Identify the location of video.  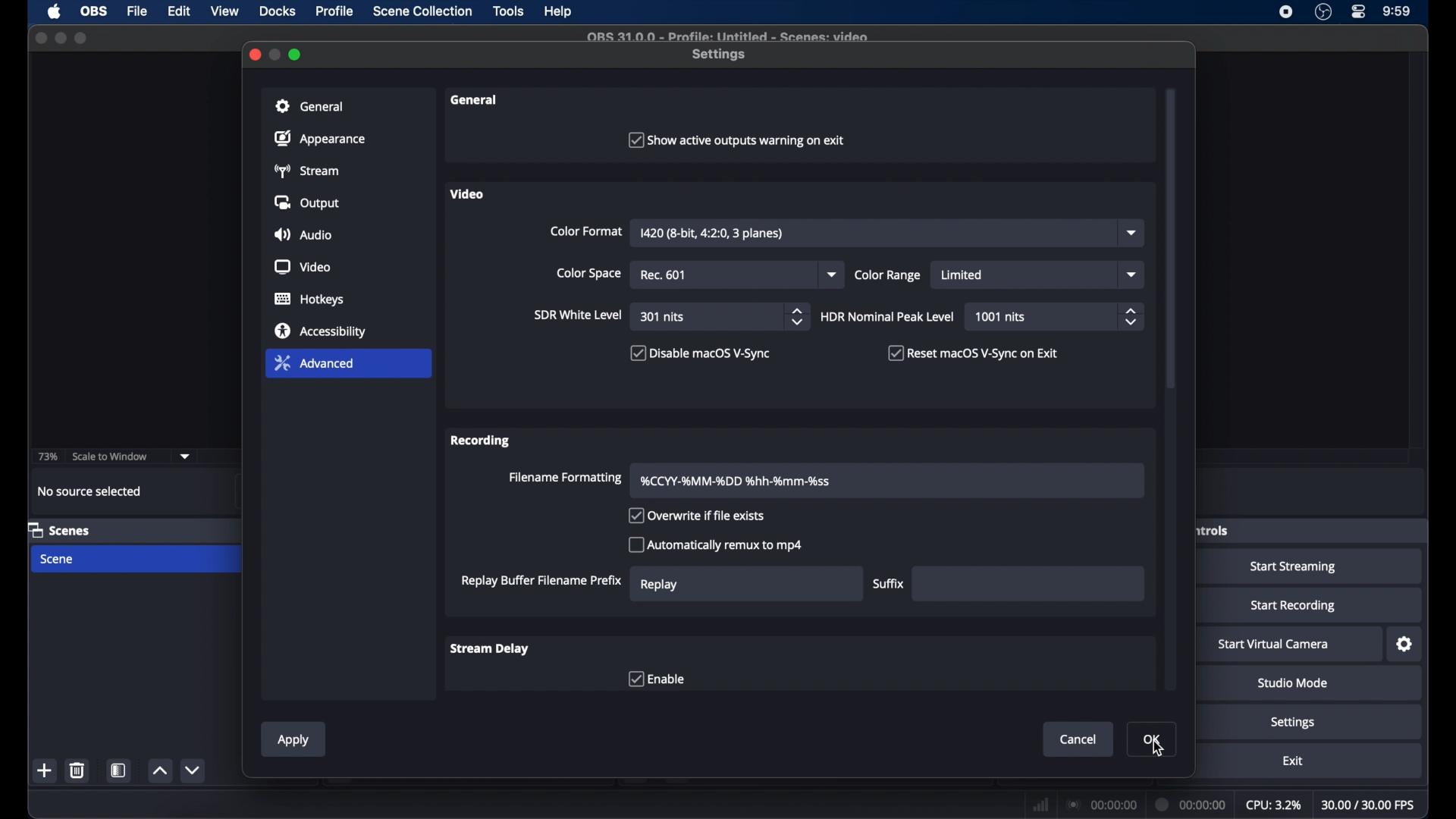
(302, 267).